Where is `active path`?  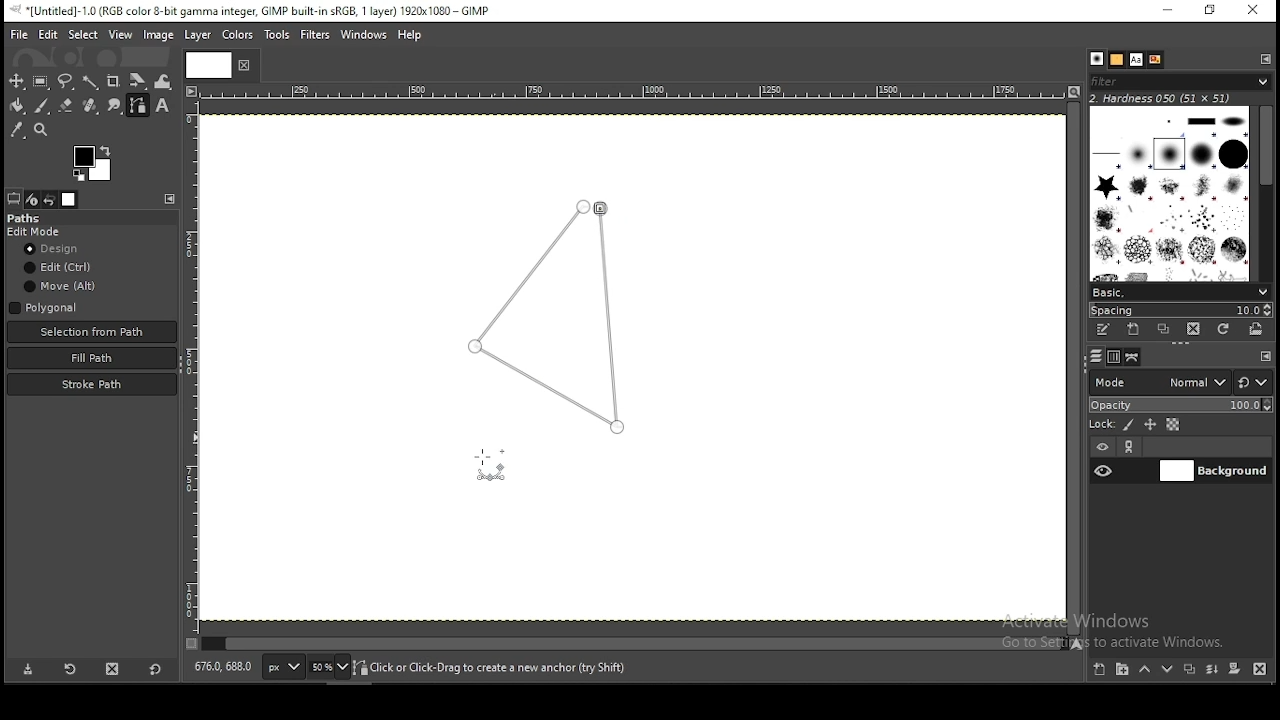
active path is located at coordinates (541, 320).